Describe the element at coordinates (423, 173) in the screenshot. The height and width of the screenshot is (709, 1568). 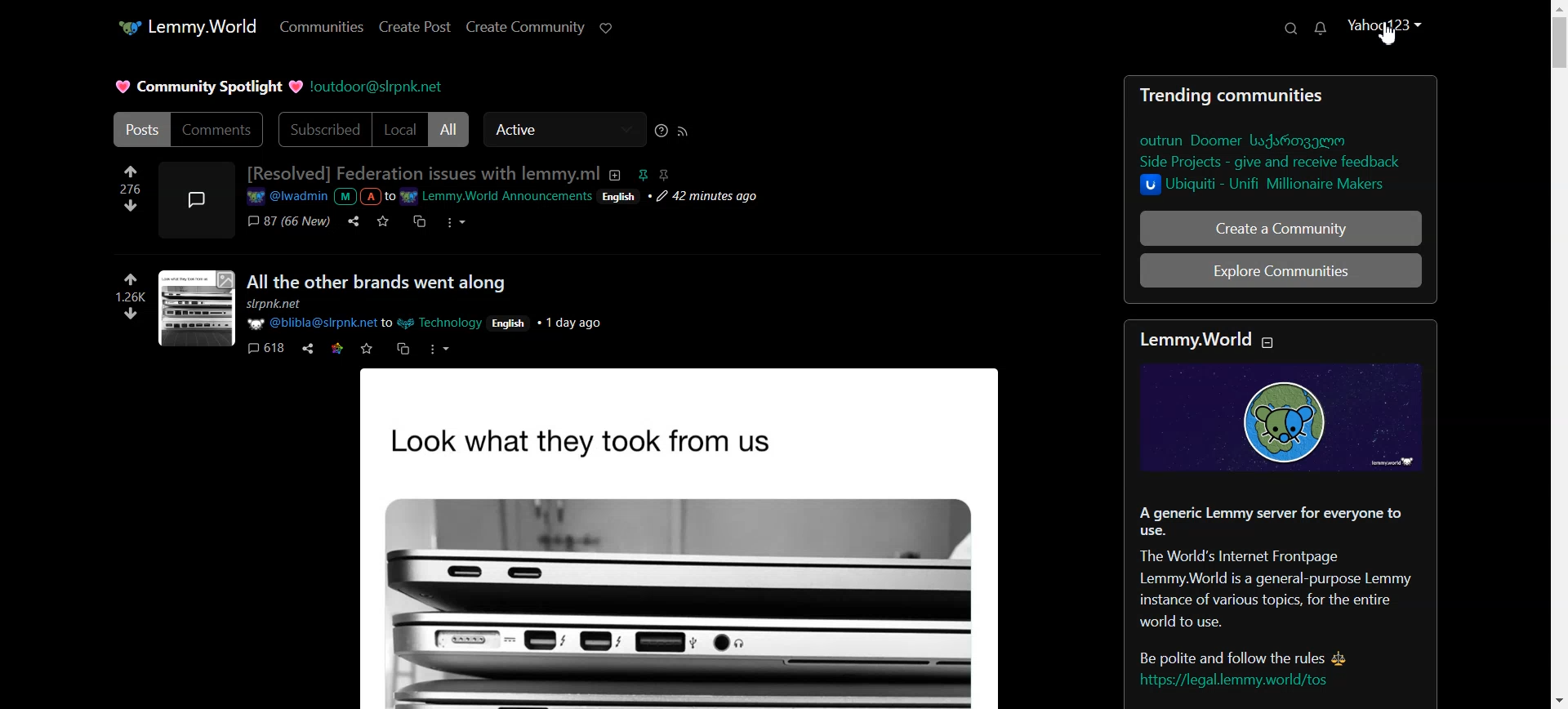
I see `Text` at that location.